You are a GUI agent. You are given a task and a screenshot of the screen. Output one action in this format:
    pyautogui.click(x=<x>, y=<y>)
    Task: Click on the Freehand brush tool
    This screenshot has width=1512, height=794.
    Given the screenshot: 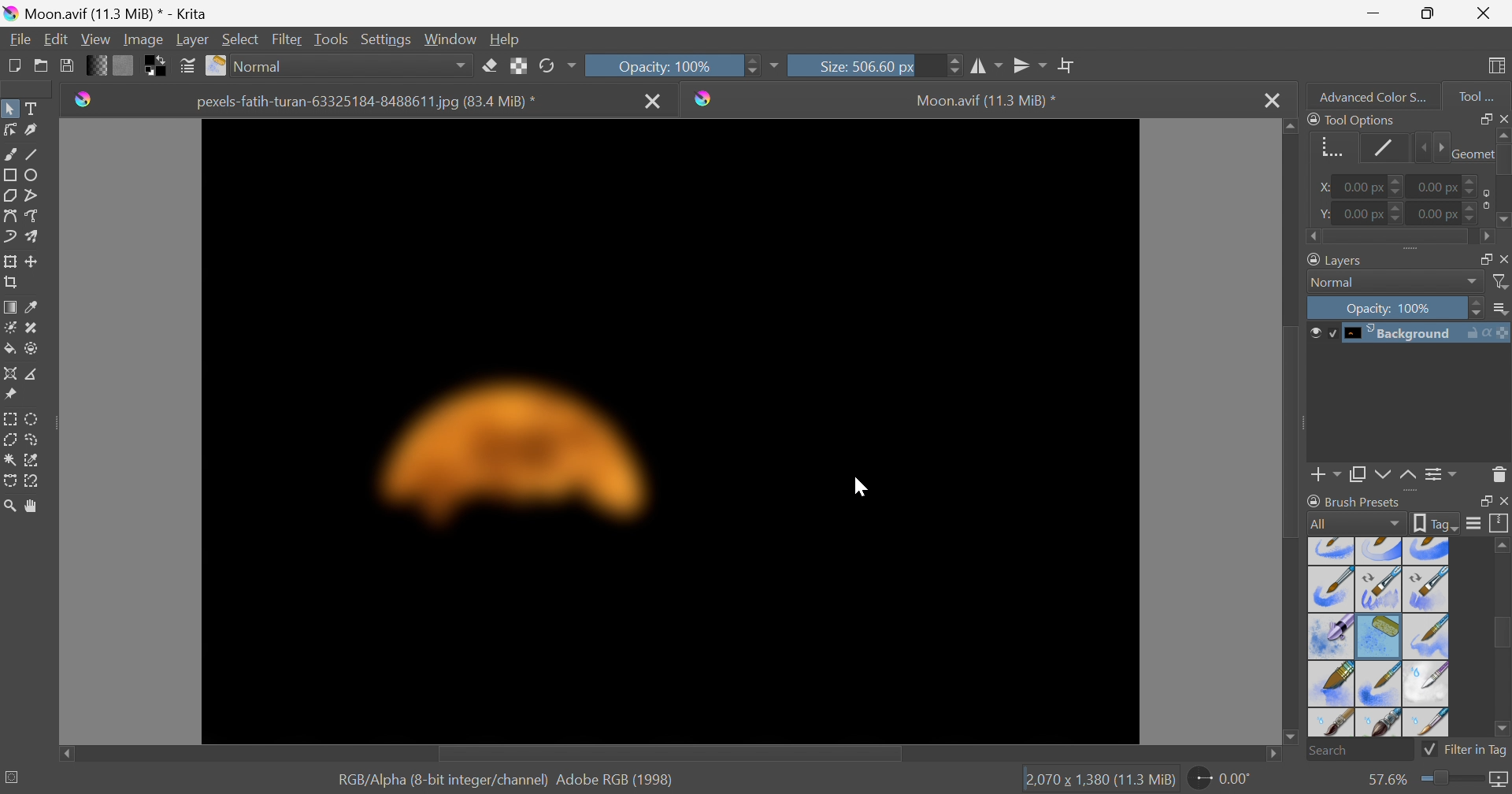 What is the action you would take?
    pyautogui.click(x=12, y=153)
    